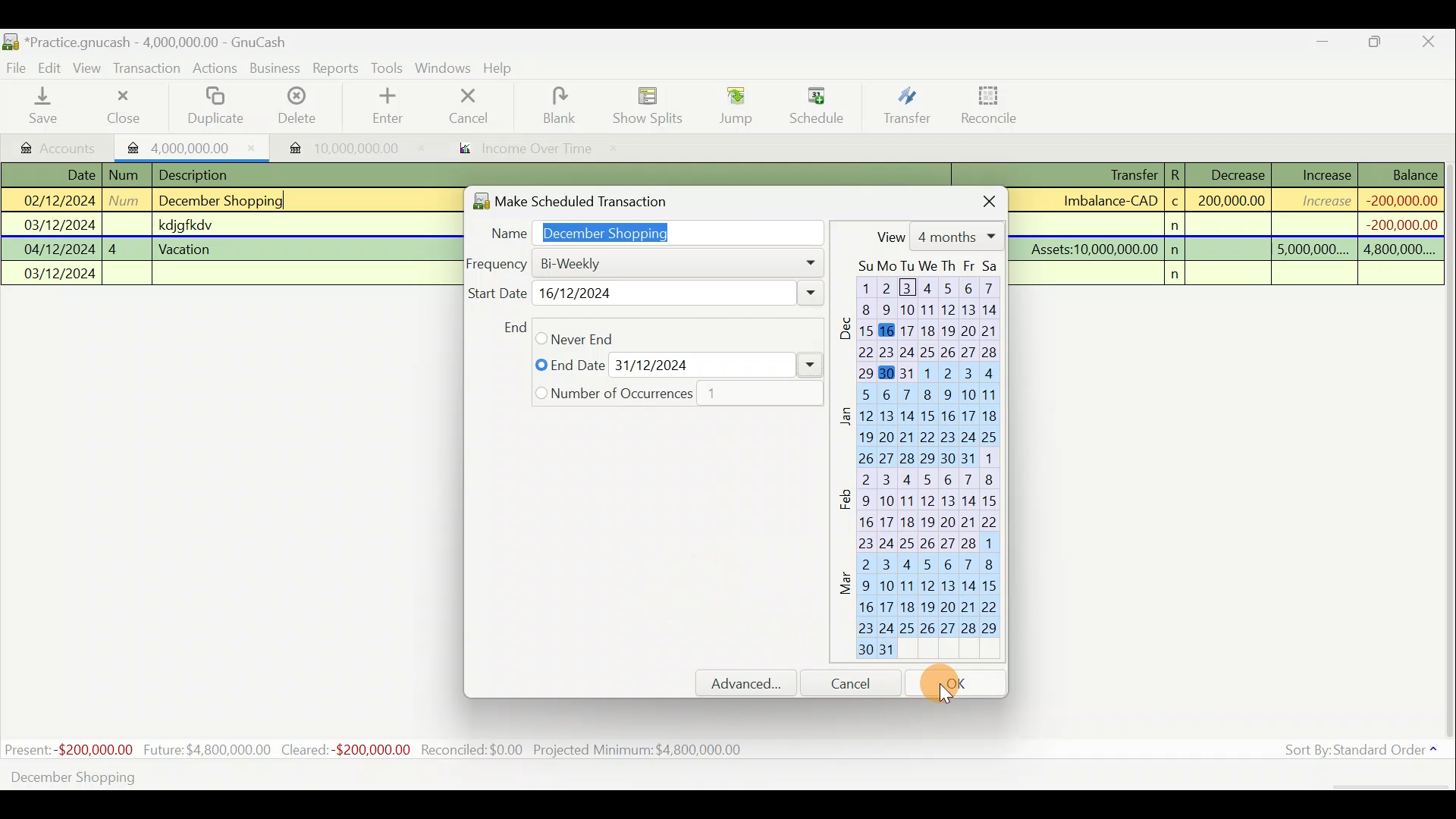  What do you see at coordinates (339, 148) in the screenshot?
I see `Imported transaction 2` at bounding box center [339, 148].